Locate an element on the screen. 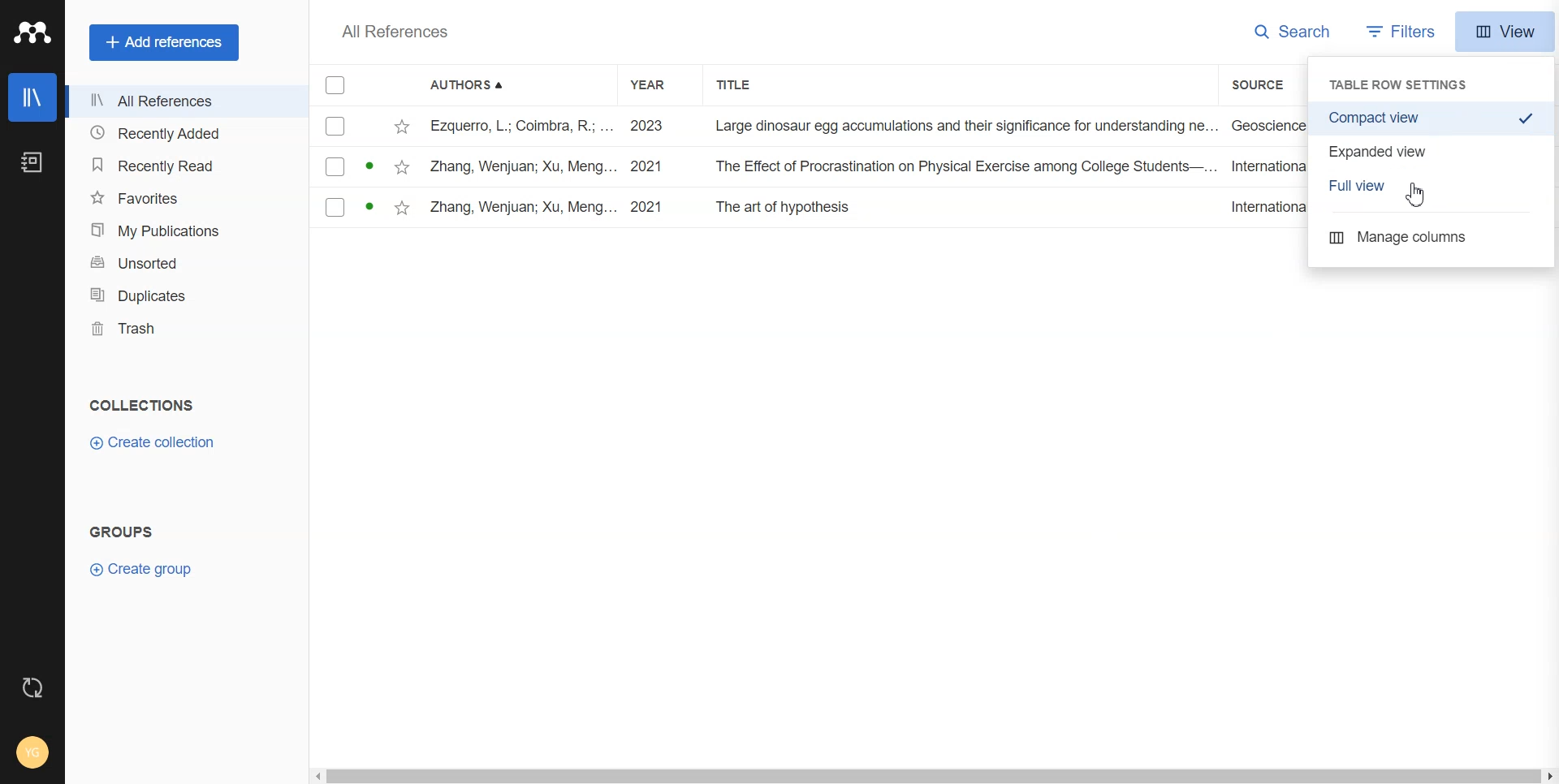  Search is located at coordinates (1295, 31).